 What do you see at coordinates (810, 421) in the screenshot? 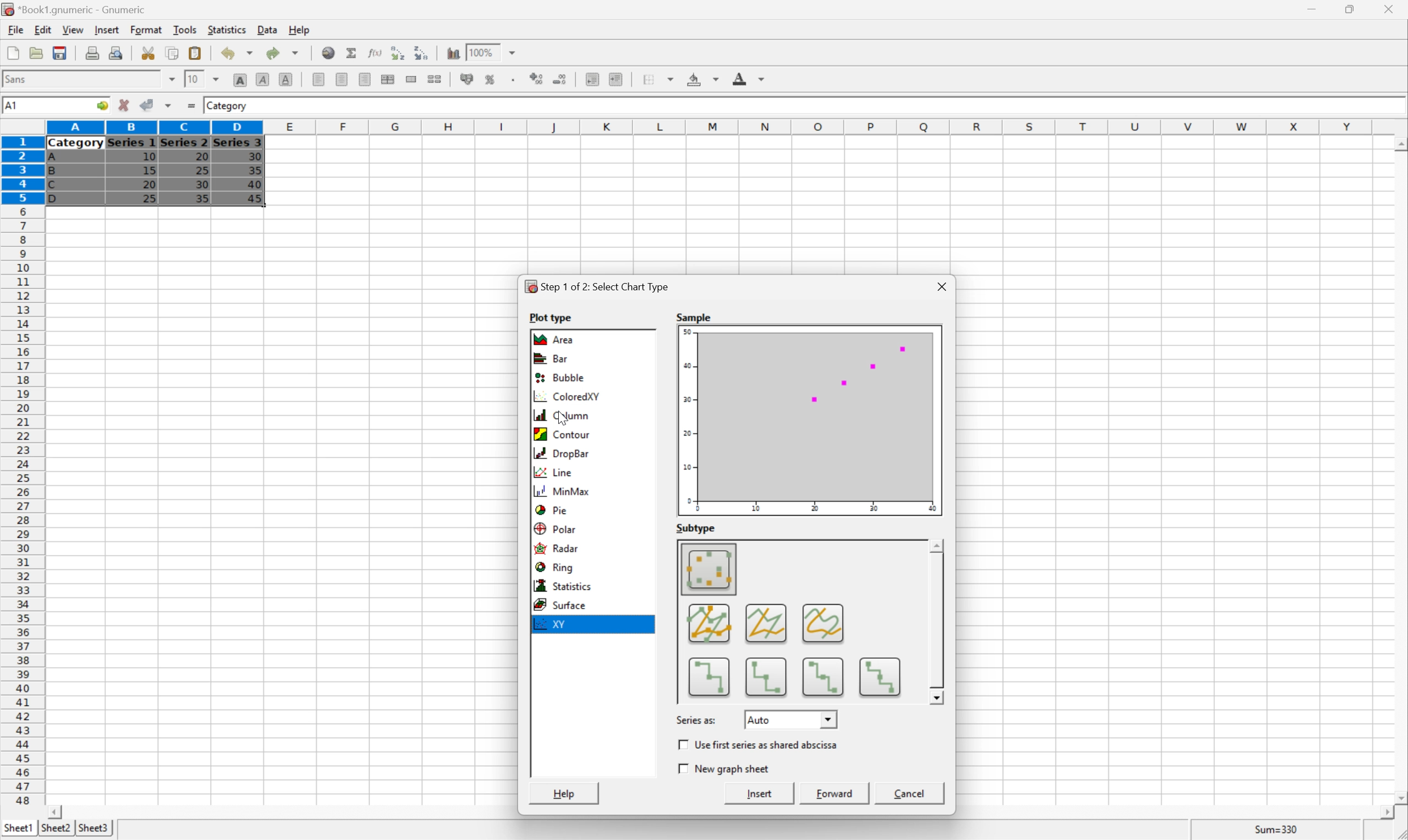
I see `Sample` at bounding box center [810, 421].